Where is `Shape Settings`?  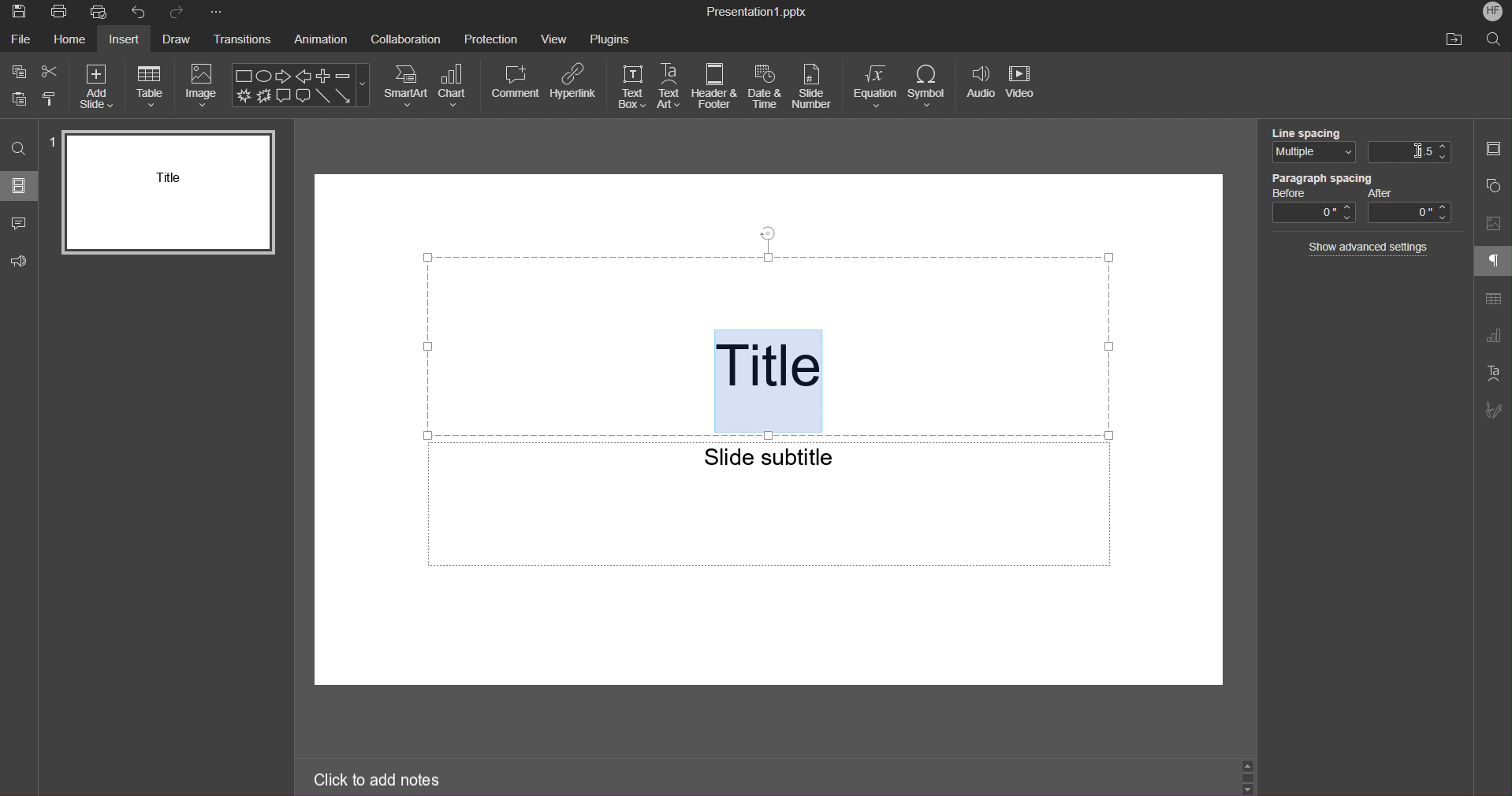 Shape Settings is located at coordinates (1492, 184).